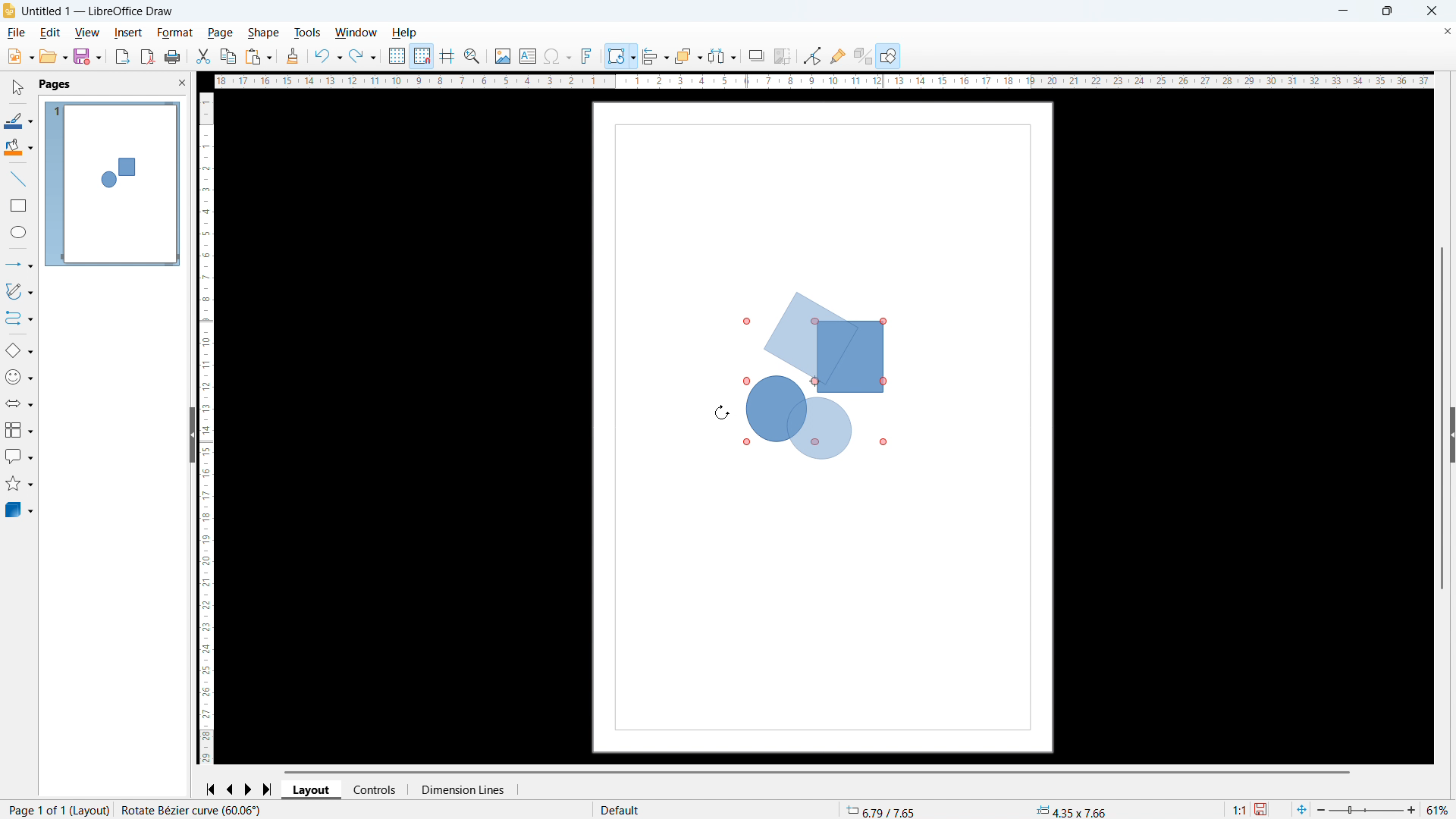  I want to click on Fit to page , so click(1301, 810).